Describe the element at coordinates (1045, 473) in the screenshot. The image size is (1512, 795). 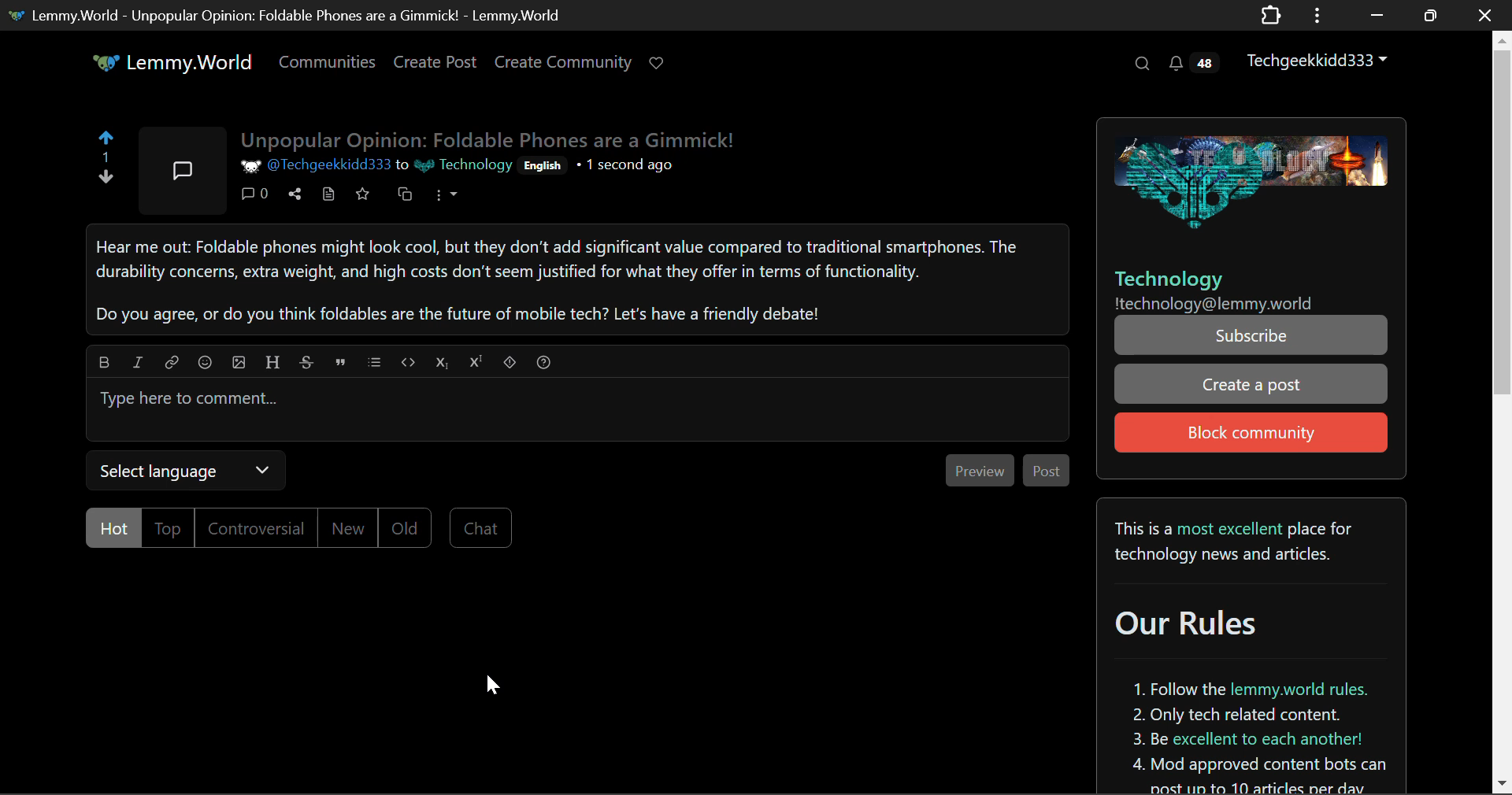
I see `Post Comment` at that location.